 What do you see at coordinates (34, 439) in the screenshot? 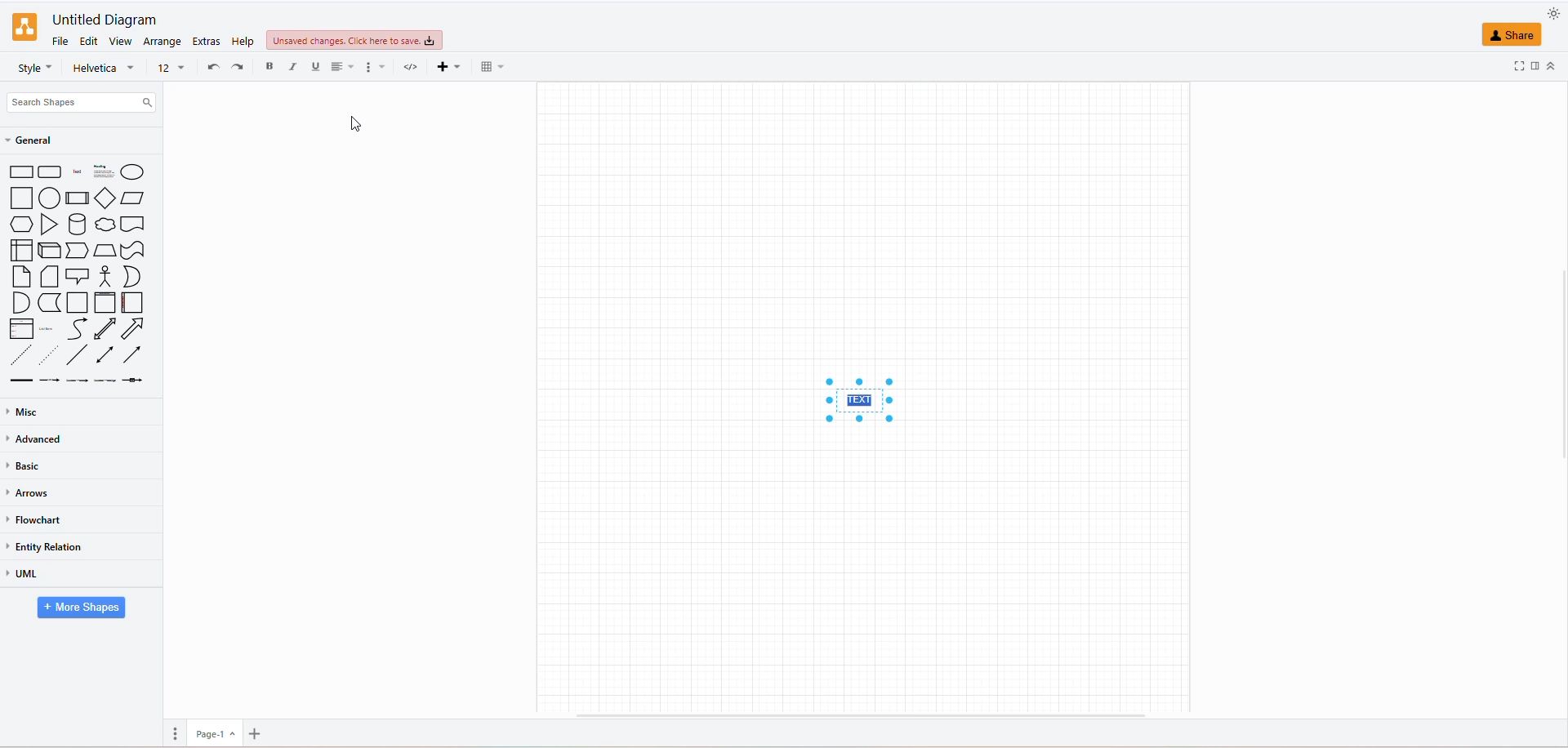
I see `advanced` at bounding box center [34, 439].